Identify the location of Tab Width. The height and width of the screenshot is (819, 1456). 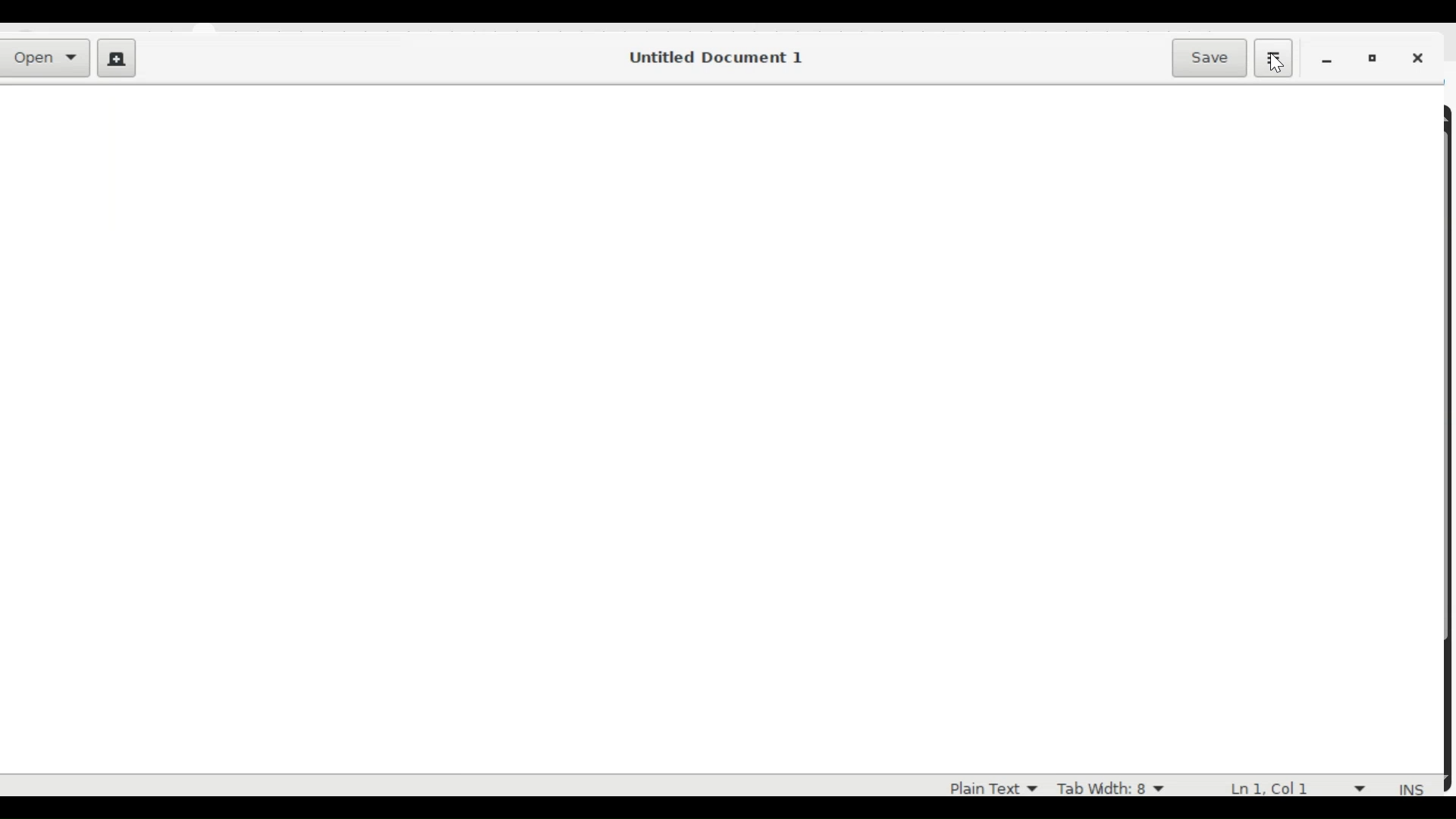
(1109, 786).